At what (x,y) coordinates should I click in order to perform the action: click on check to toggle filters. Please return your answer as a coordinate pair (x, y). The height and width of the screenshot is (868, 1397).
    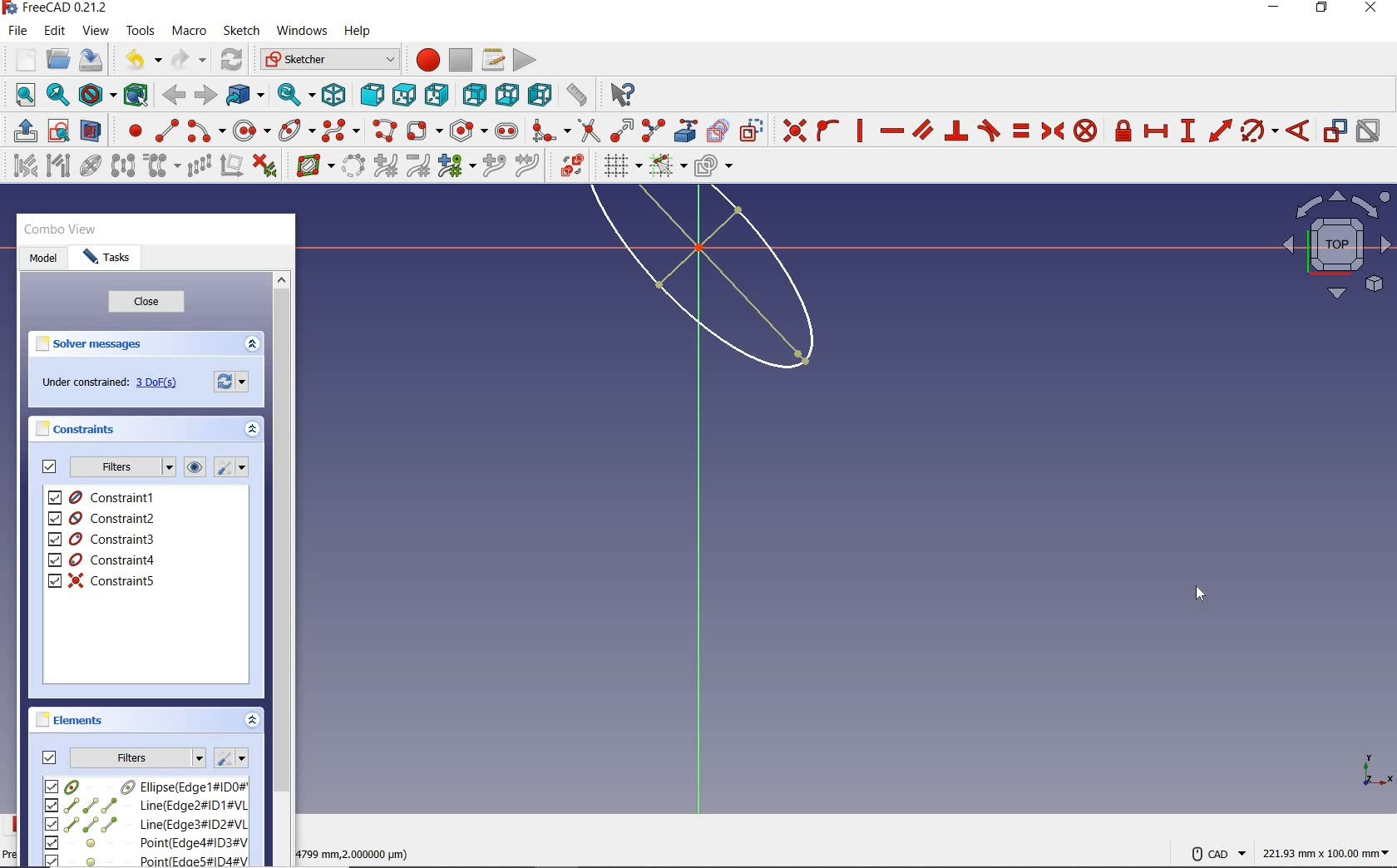
    Looking at the image, I should click on (50, 466).